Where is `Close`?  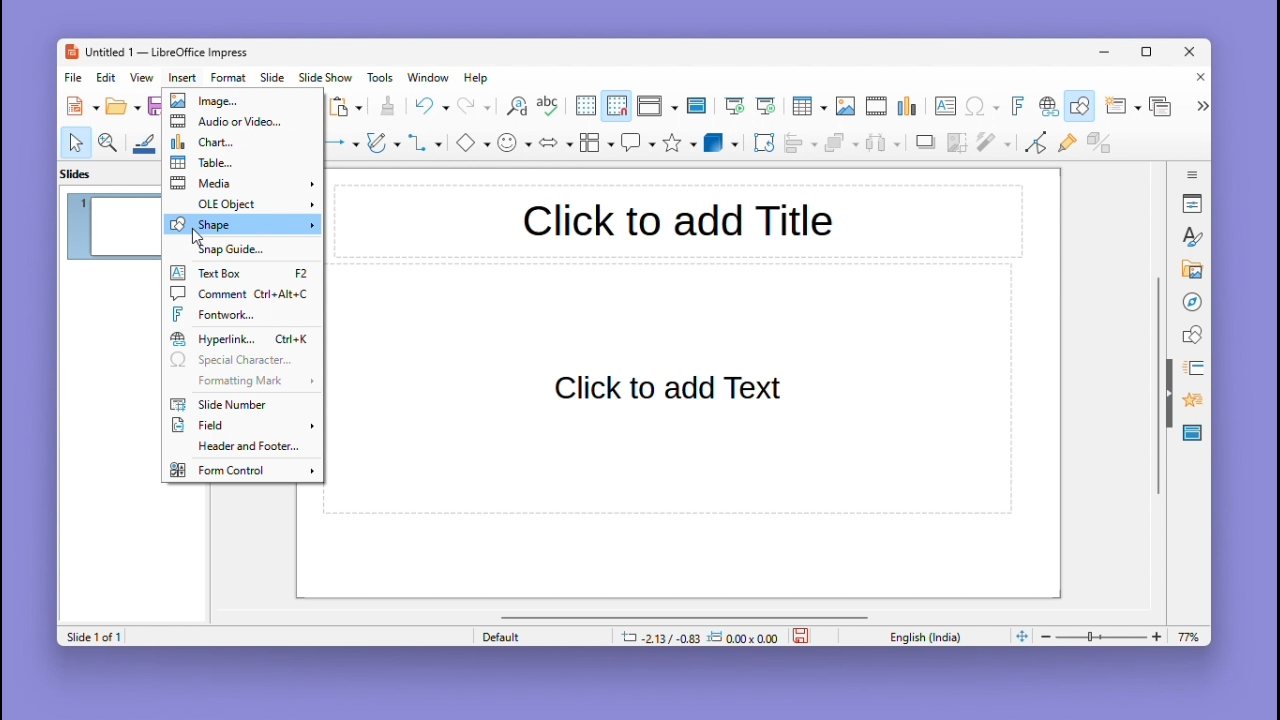
Close is located at coordinates (1196, 79).